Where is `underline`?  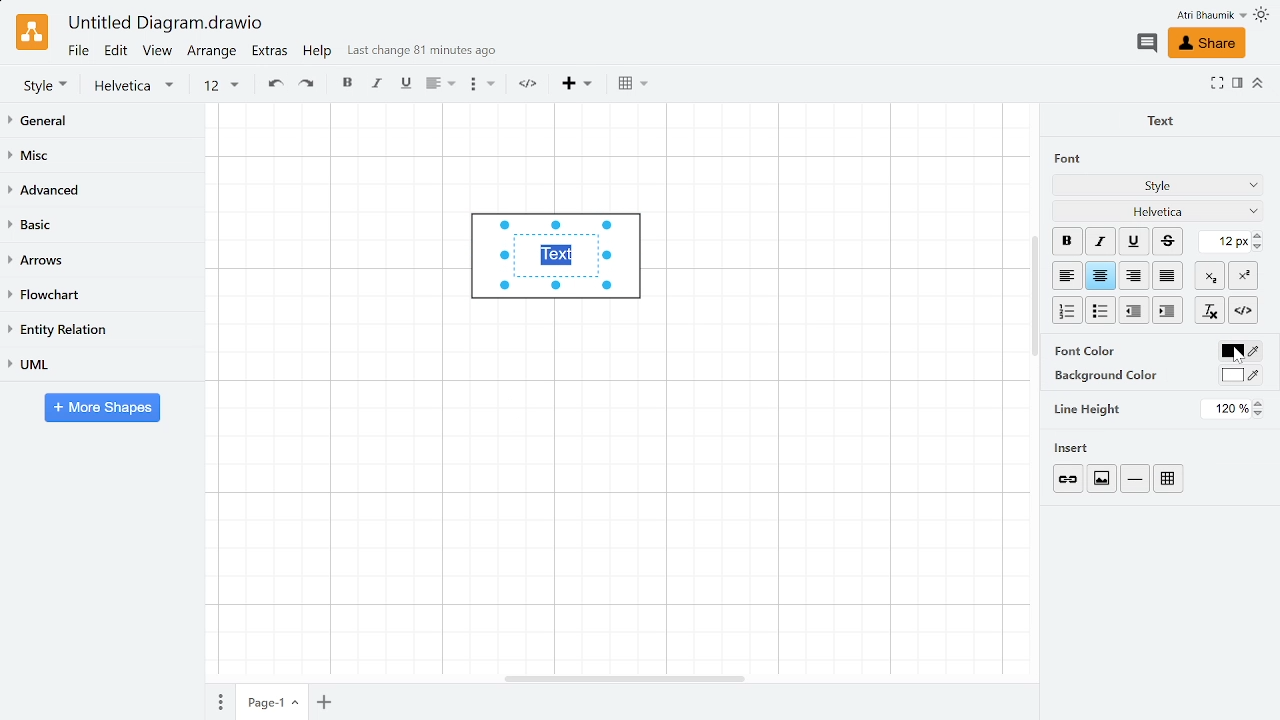
underline is located at coordinates (405, 84).